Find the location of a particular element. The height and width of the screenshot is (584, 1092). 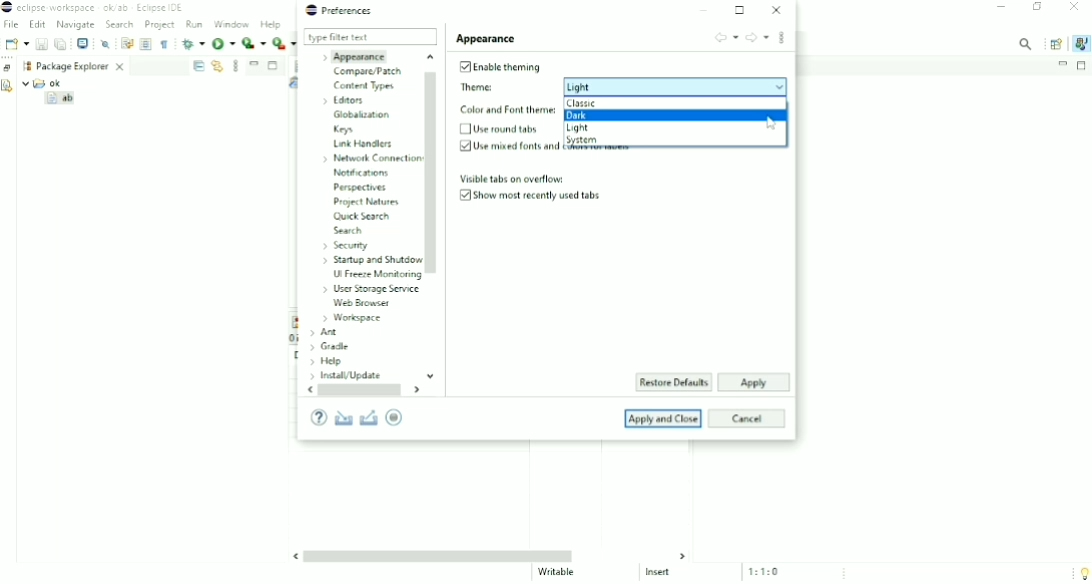

Edit is located at coordinates (37, 25).